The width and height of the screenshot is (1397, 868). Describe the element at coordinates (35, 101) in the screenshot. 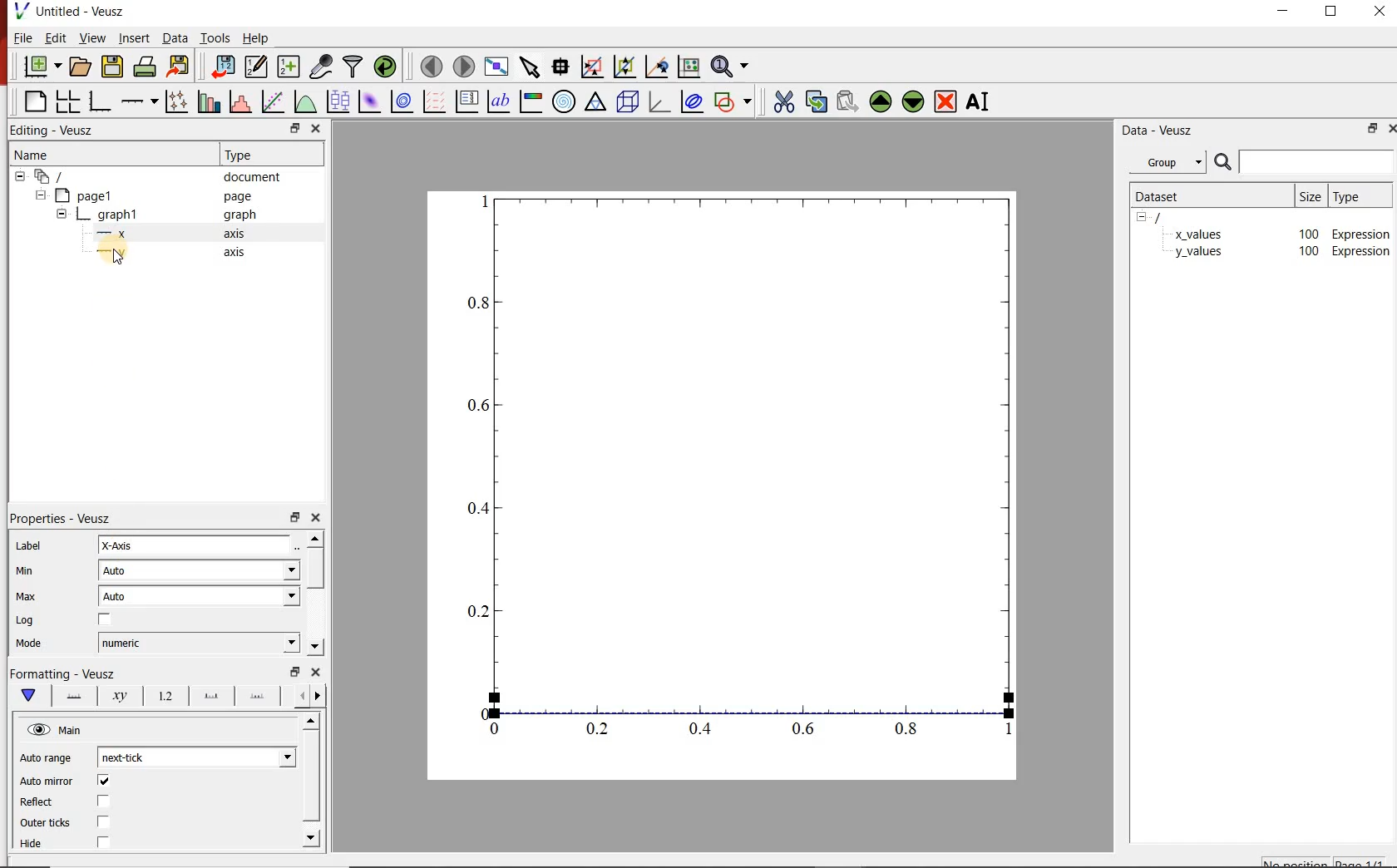

I see `blank page` at that location.